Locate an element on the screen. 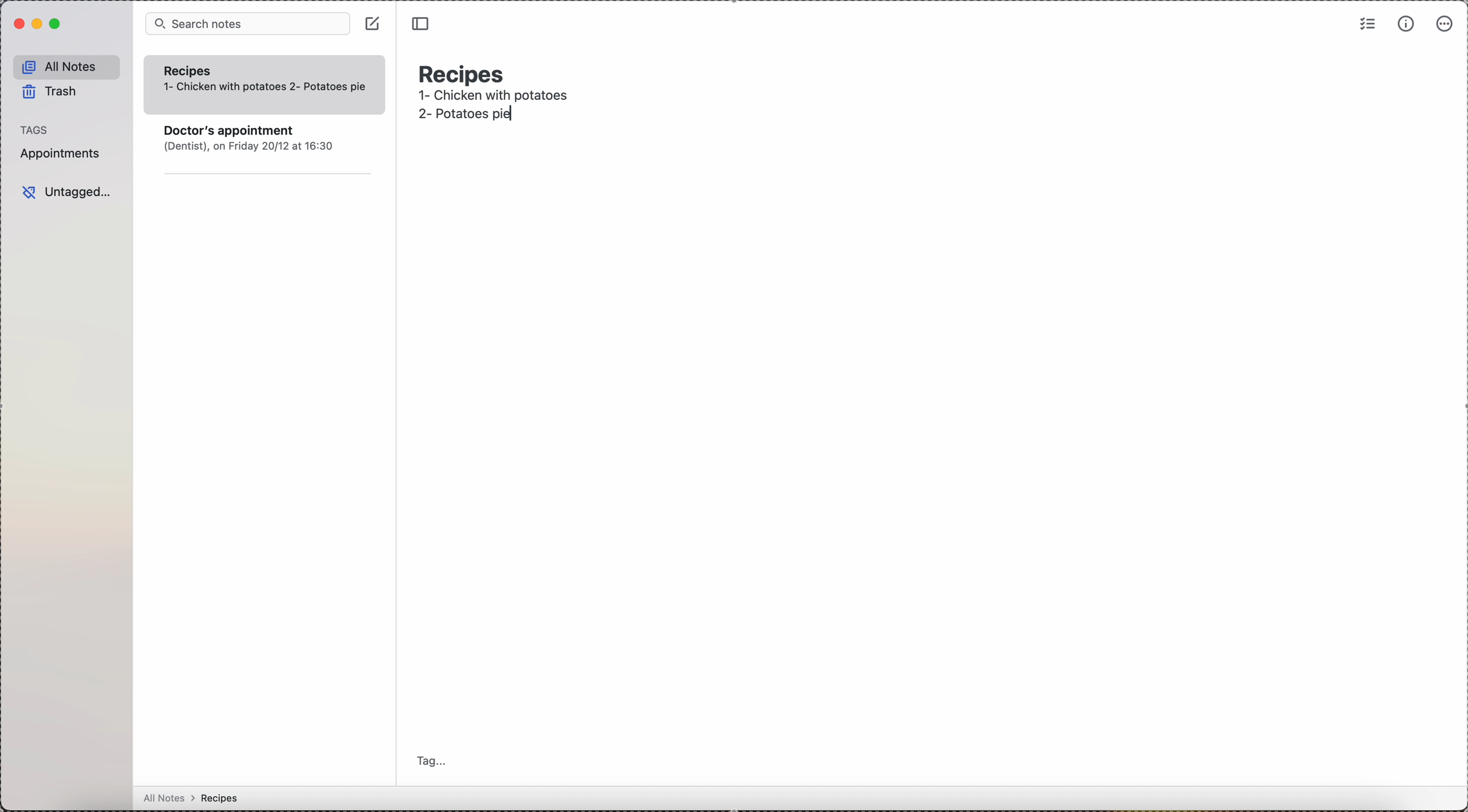 This screenshot has width=1468, height=812. more options is located at coordinates (1443, 25).